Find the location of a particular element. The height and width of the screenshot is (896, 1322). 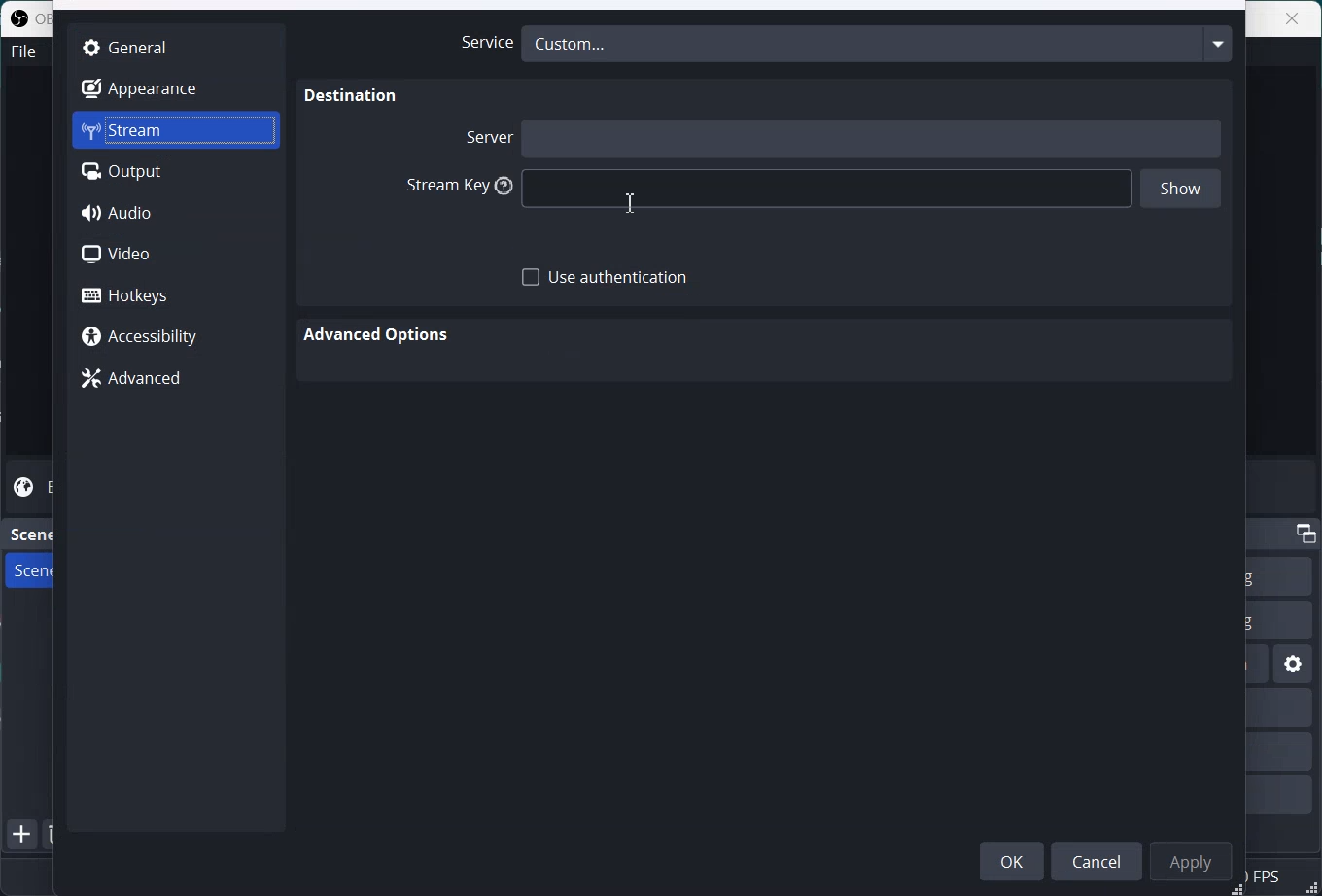

Output is located at coordinates (176, 172).